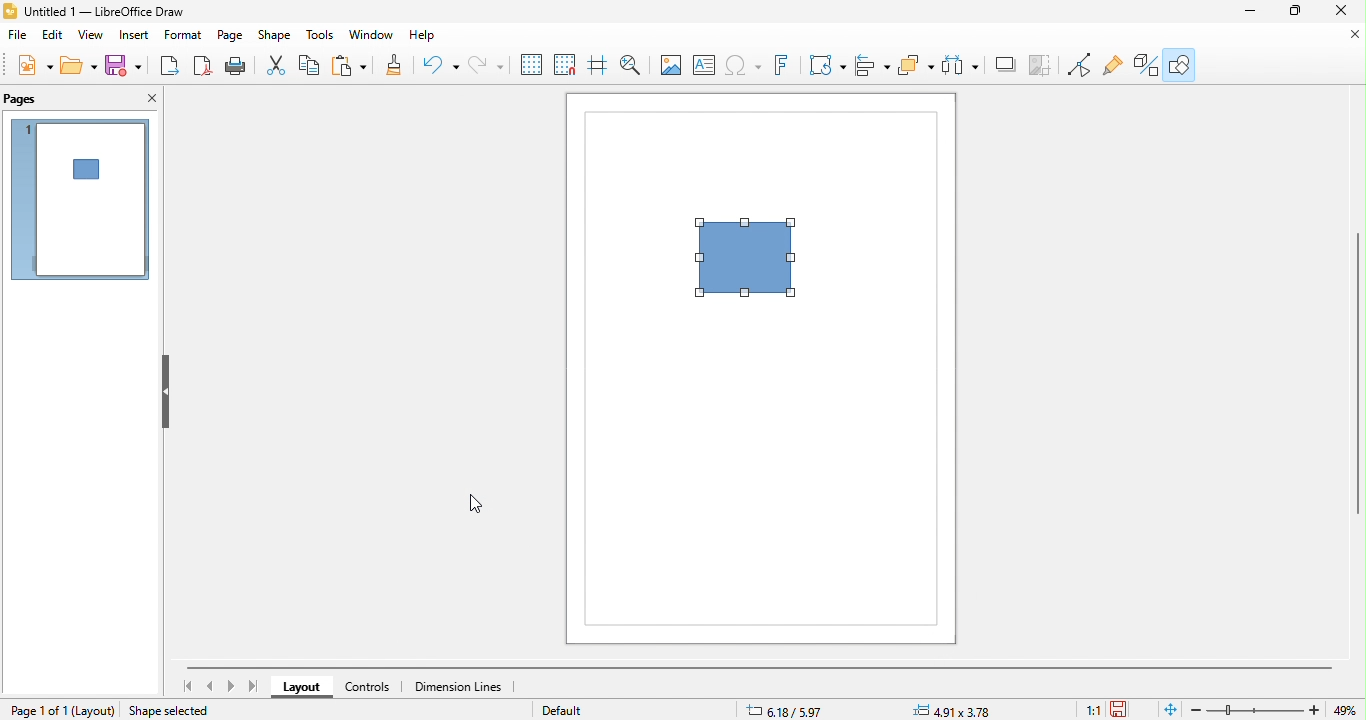 Image resolution: width=1366 pixels, height=720 pixels. What do you see at coordinates (754, 261) in the screenshot?
I see `object locked at this place` at bounding box center [754, 261].